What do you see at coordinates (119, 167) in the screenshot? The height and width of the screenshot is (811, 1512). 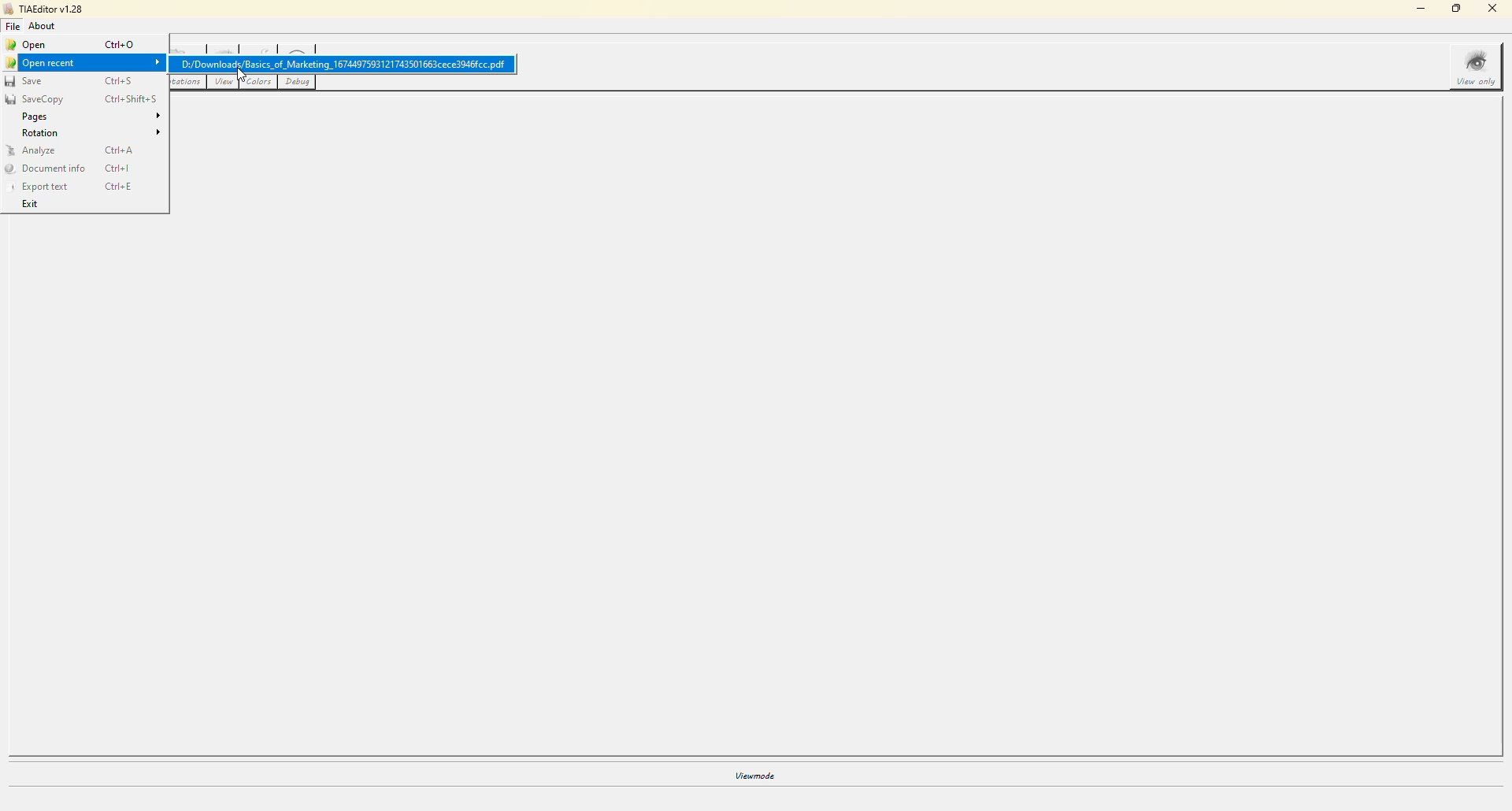 I see `ctrl+l` at bounding box center [119, 167].